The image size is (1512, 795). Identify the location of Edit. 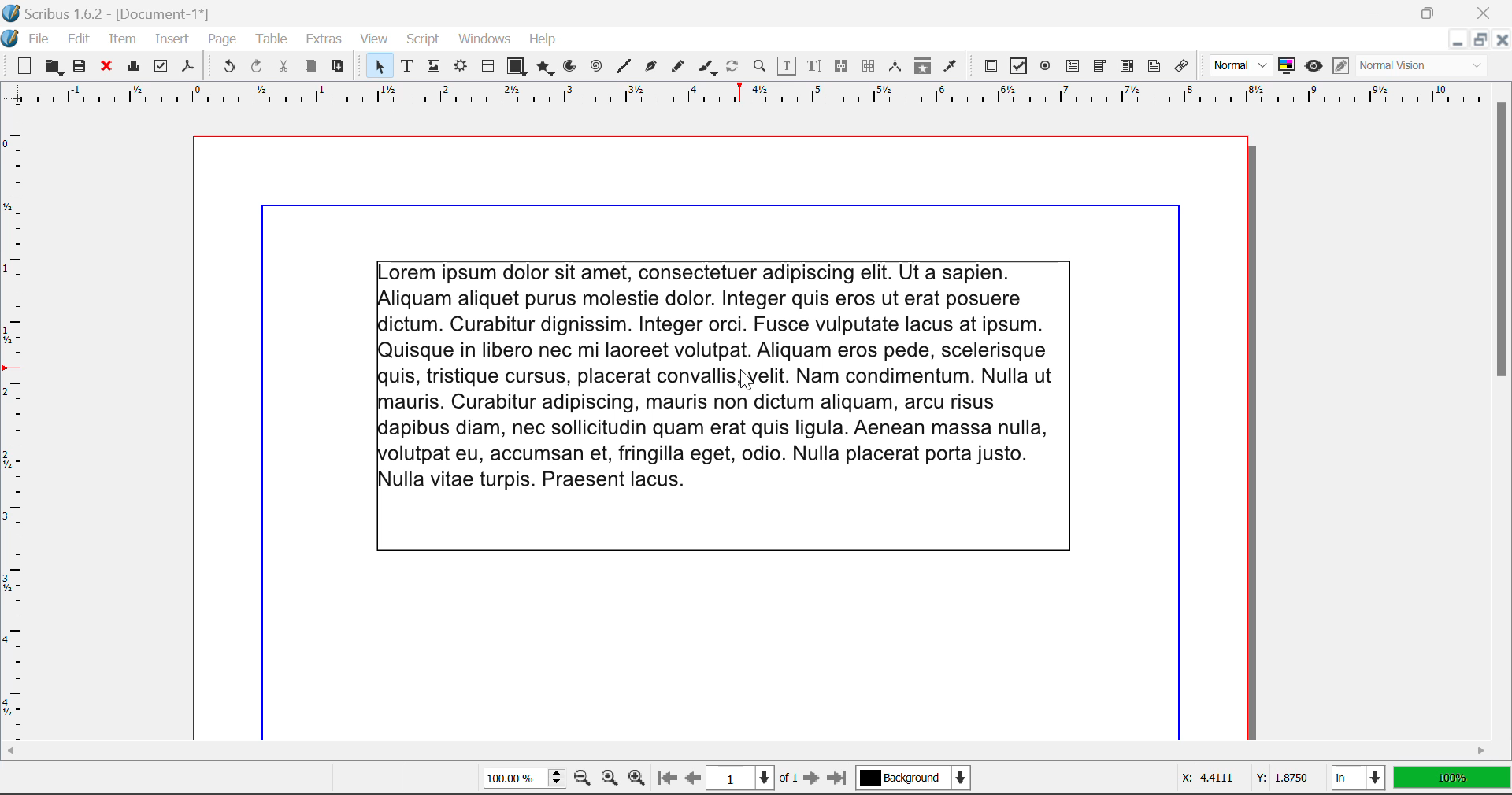
(79, 39).